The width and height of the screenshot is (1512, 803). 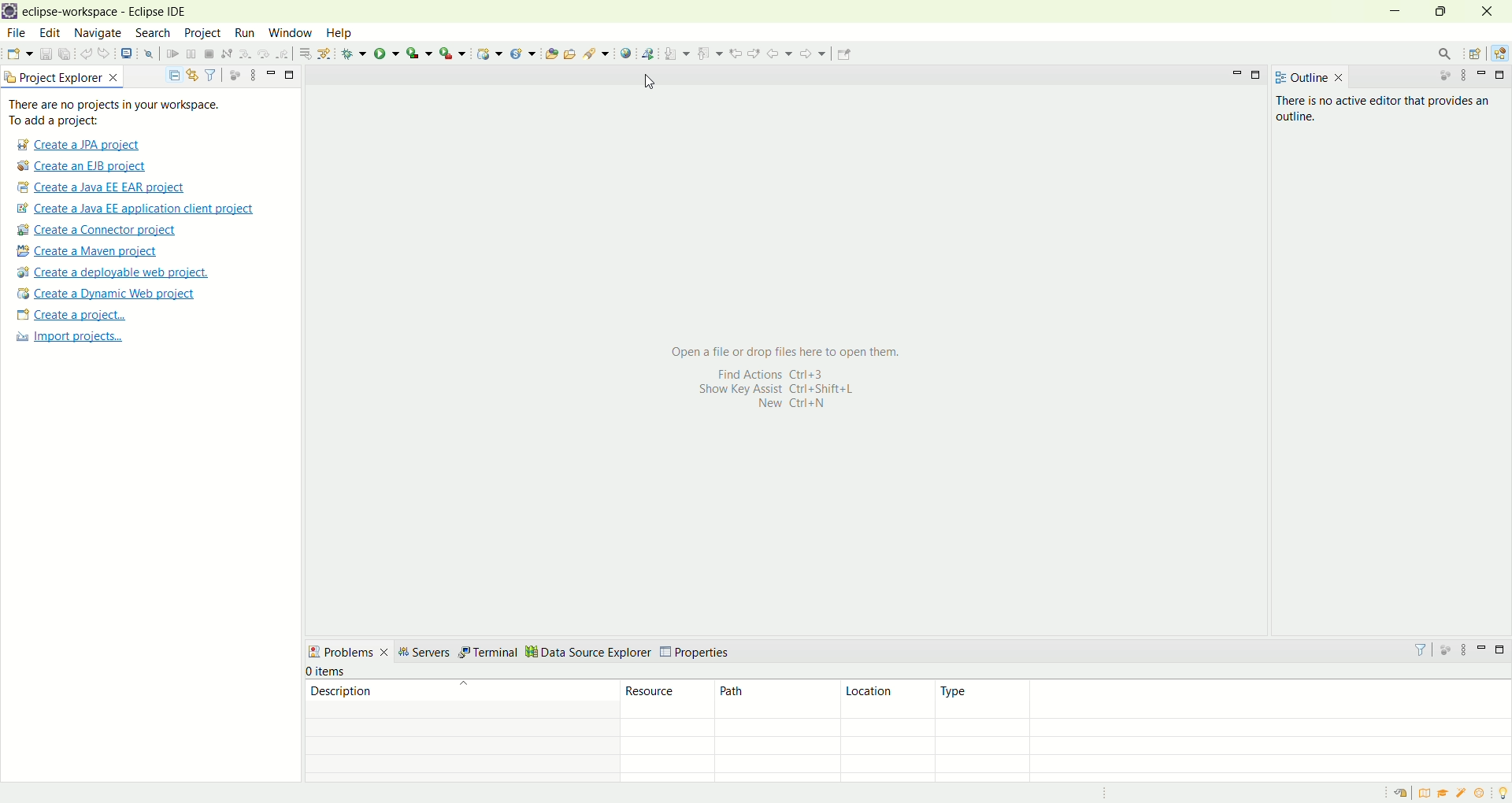 I want to click on what's new, so click(x=1484, y=794).